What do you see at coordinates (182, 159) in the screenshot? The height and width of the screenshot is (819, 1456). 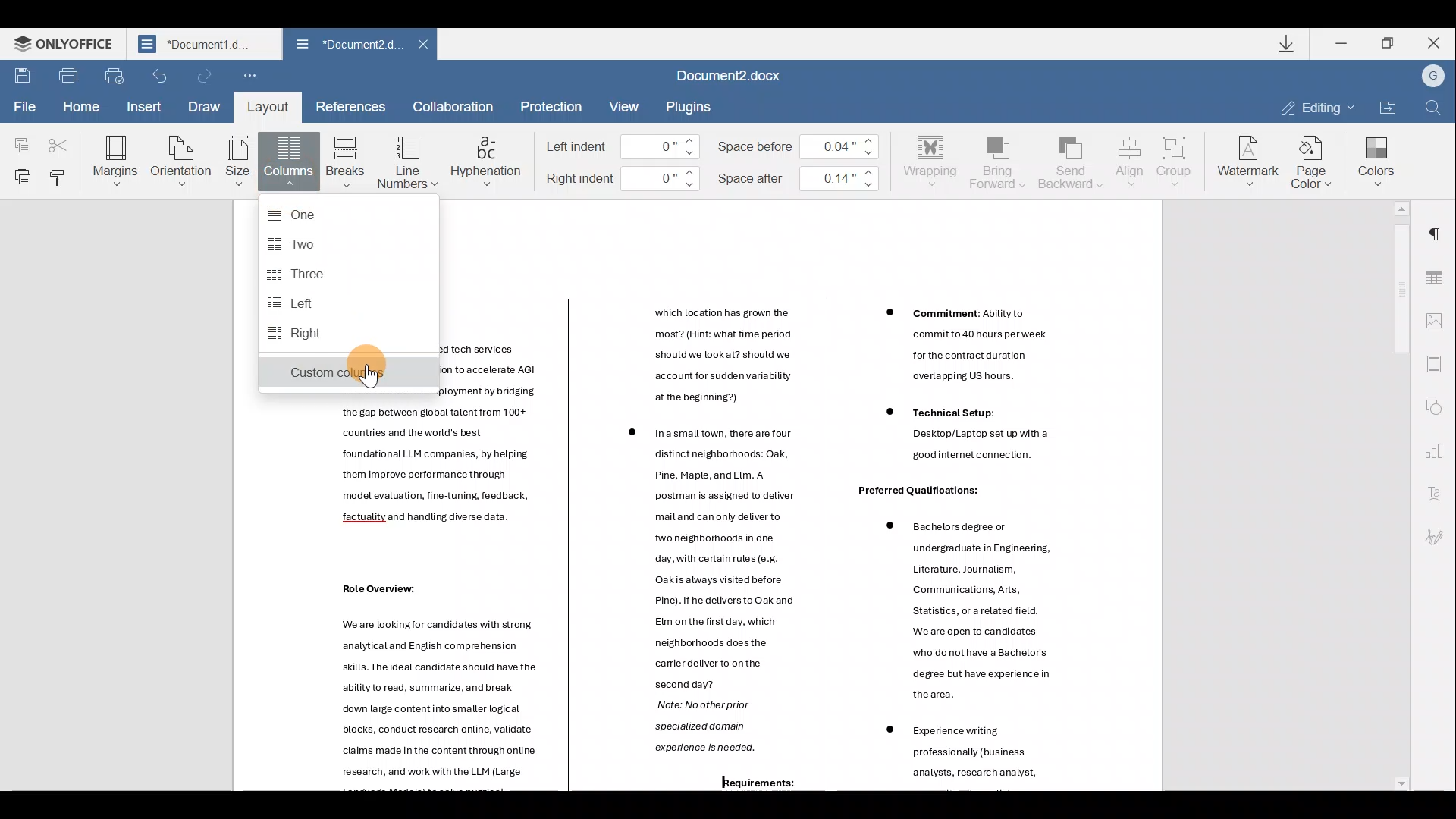 I see `Orientation` at bounding box center [182, 159].